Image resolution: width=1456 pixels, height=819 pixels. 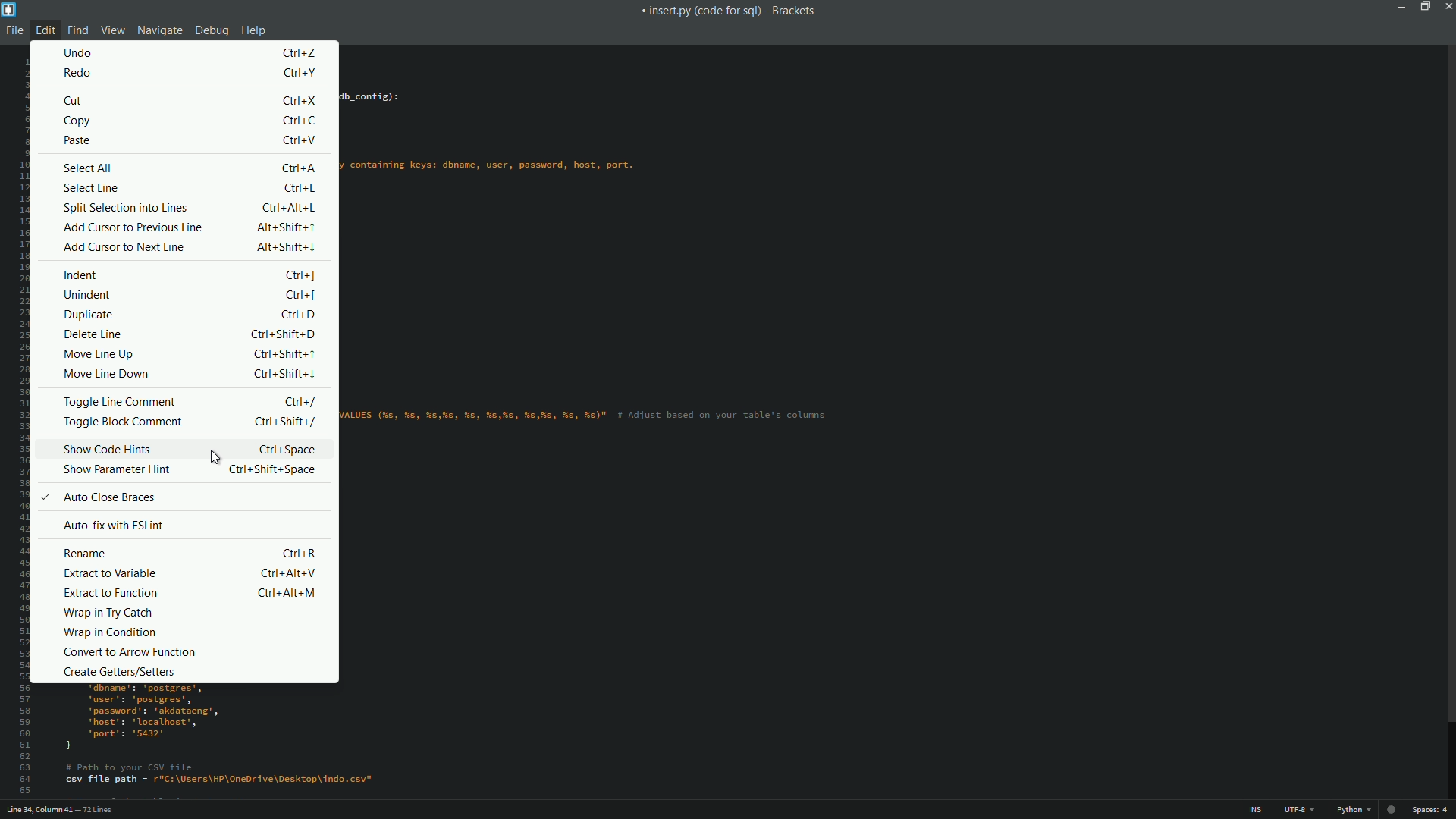 What do you see at coordinates (272, 469) in the screenshot?
I see `keyboard shortcut` at bounding box center [272, 469].